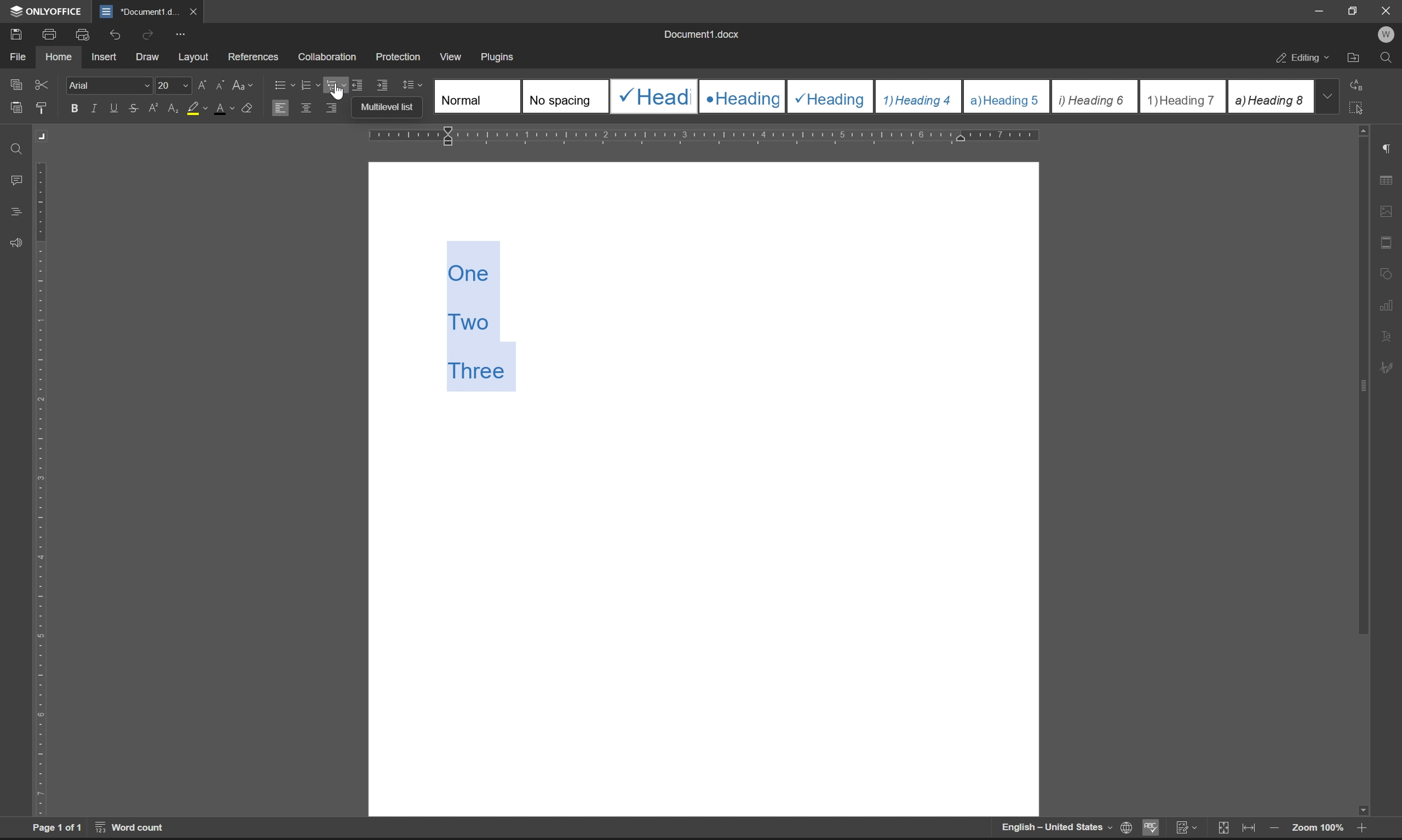  Describe the element at coordinates (96, 108) in the screenshot. I see `italic` at that location.